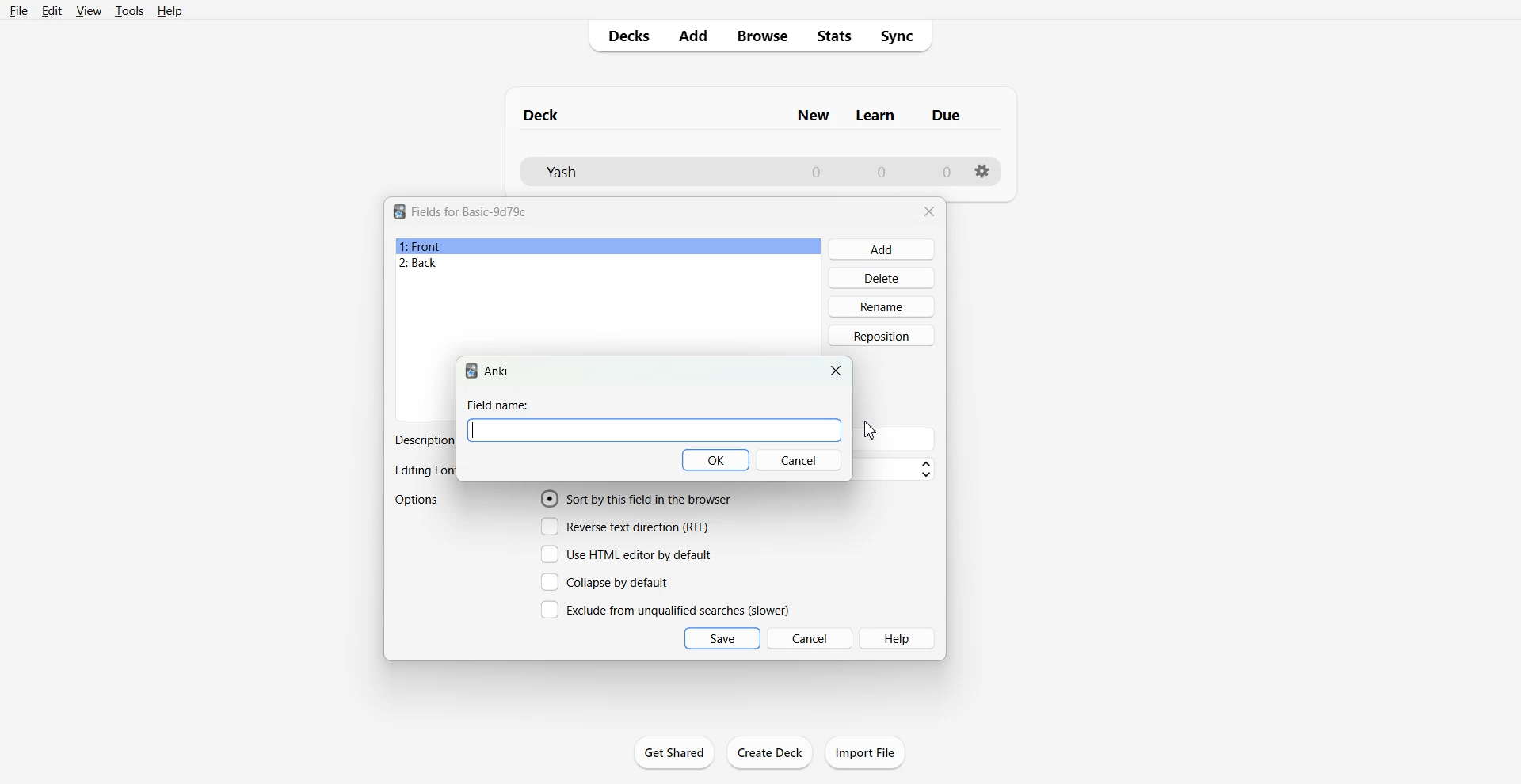 The height and width of the screenshot is (784, 1521). What do you see at coordinates (771, 752) in the screenshot?
I see `Create Deck` at bounding box center [771, 752].